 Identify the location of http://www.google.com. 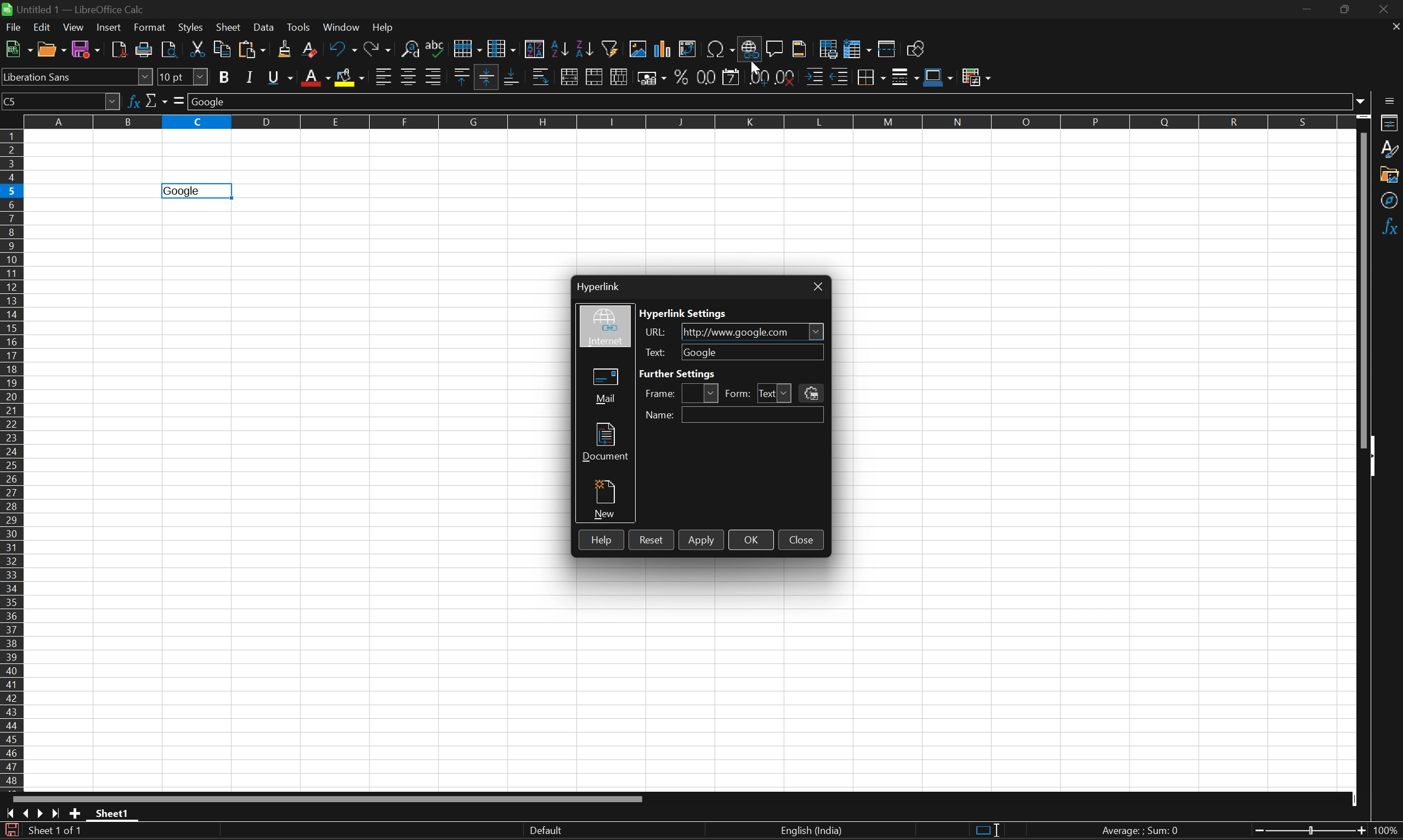
(735, 333).